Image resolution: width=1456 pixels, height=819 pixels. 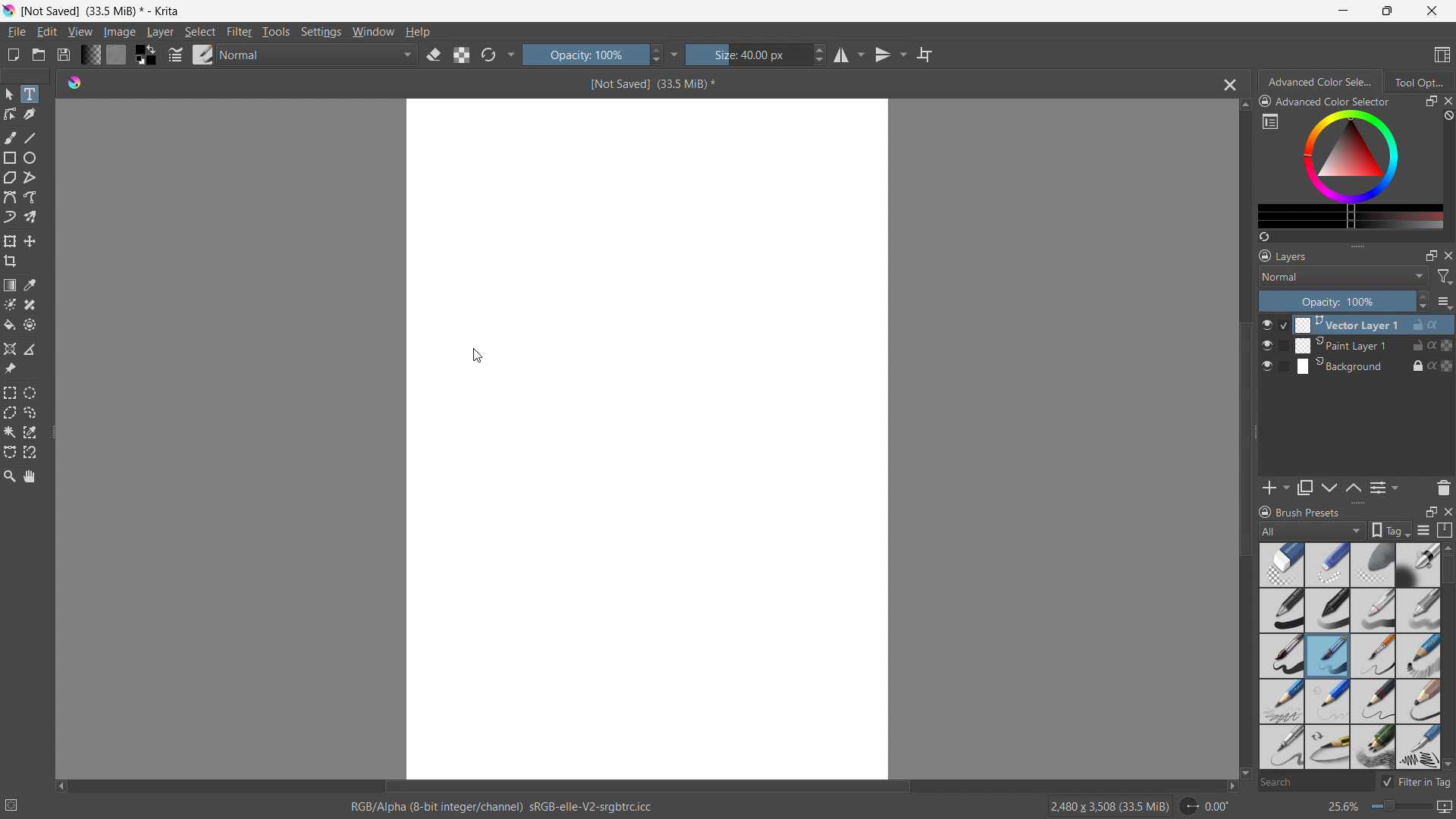 I want to click on brush type, so click(x=1313, y=530).